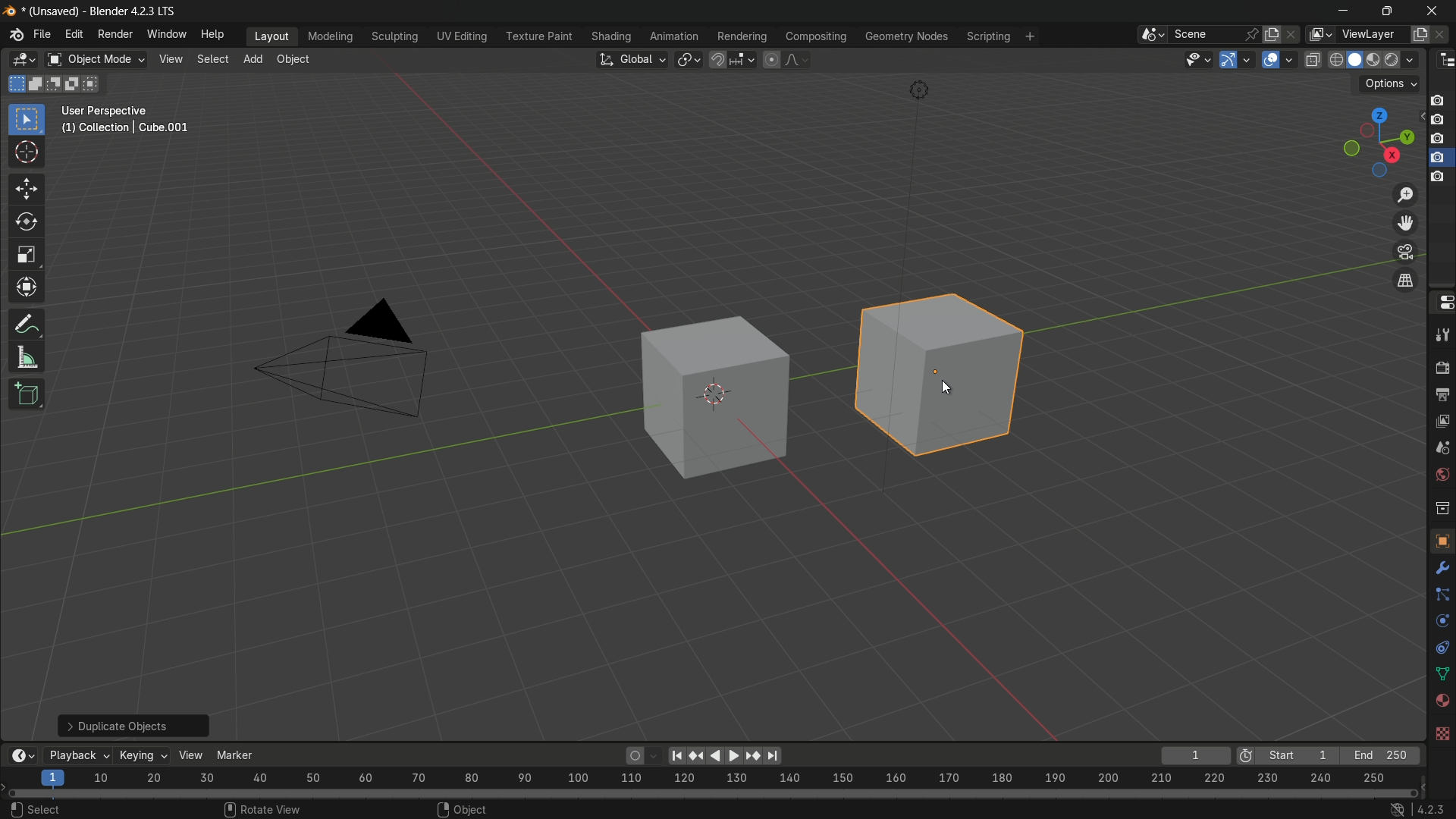  What do you see at coordinates (733, 60) in the screenshot?
I see `snap` at bounding box center [733, 60].